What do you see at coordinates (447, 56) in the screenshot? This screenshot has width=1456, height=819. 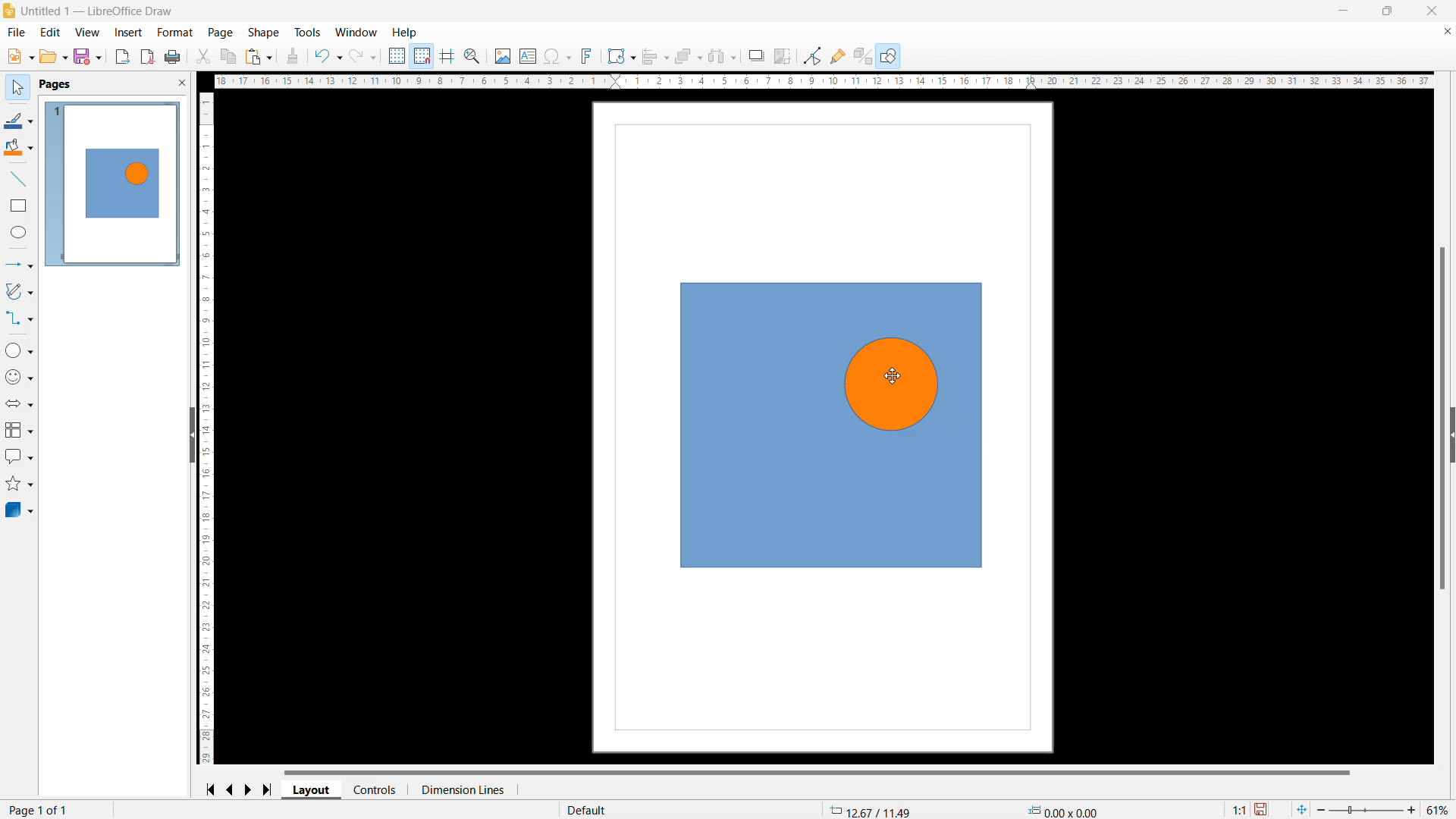 I see `helplines while moving` at bounding box center [447, 56].